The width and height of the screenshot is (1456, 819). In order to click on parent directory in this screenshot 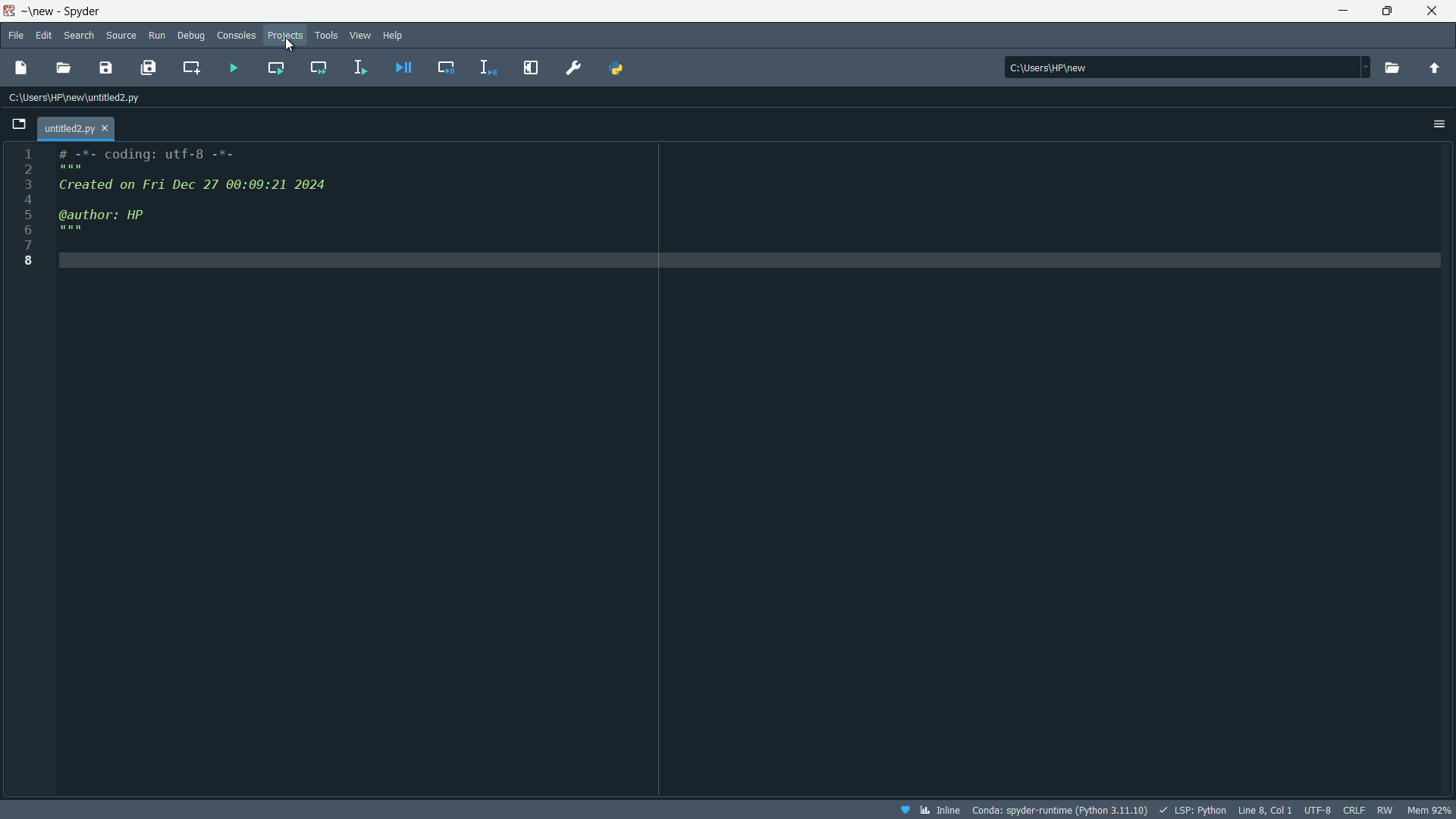, I will do `click(1435, 69)`.